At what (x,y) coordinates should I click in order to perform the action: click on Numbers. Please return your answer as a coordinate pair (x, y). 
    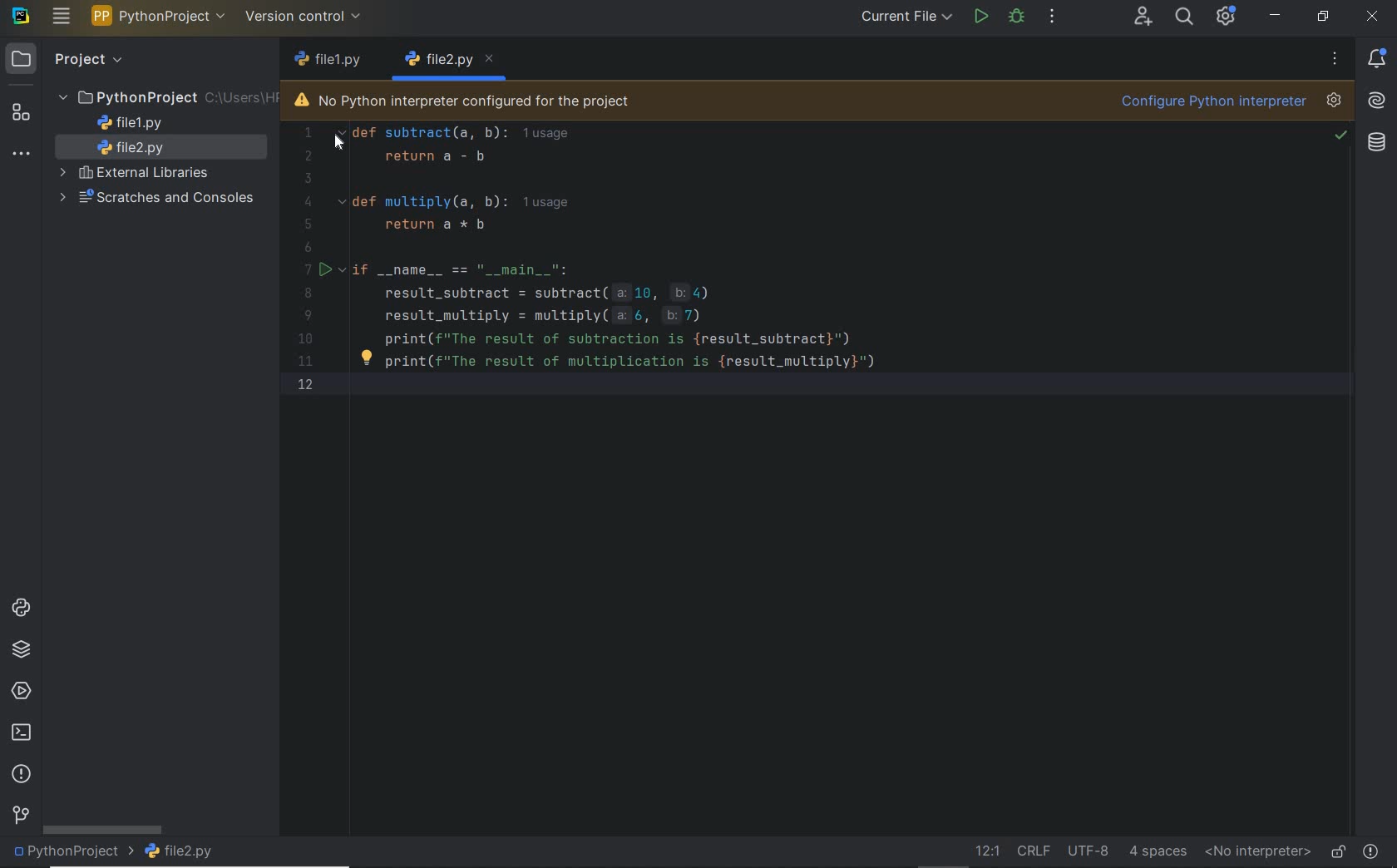
    Looking at the image, I should click on (301, 259).